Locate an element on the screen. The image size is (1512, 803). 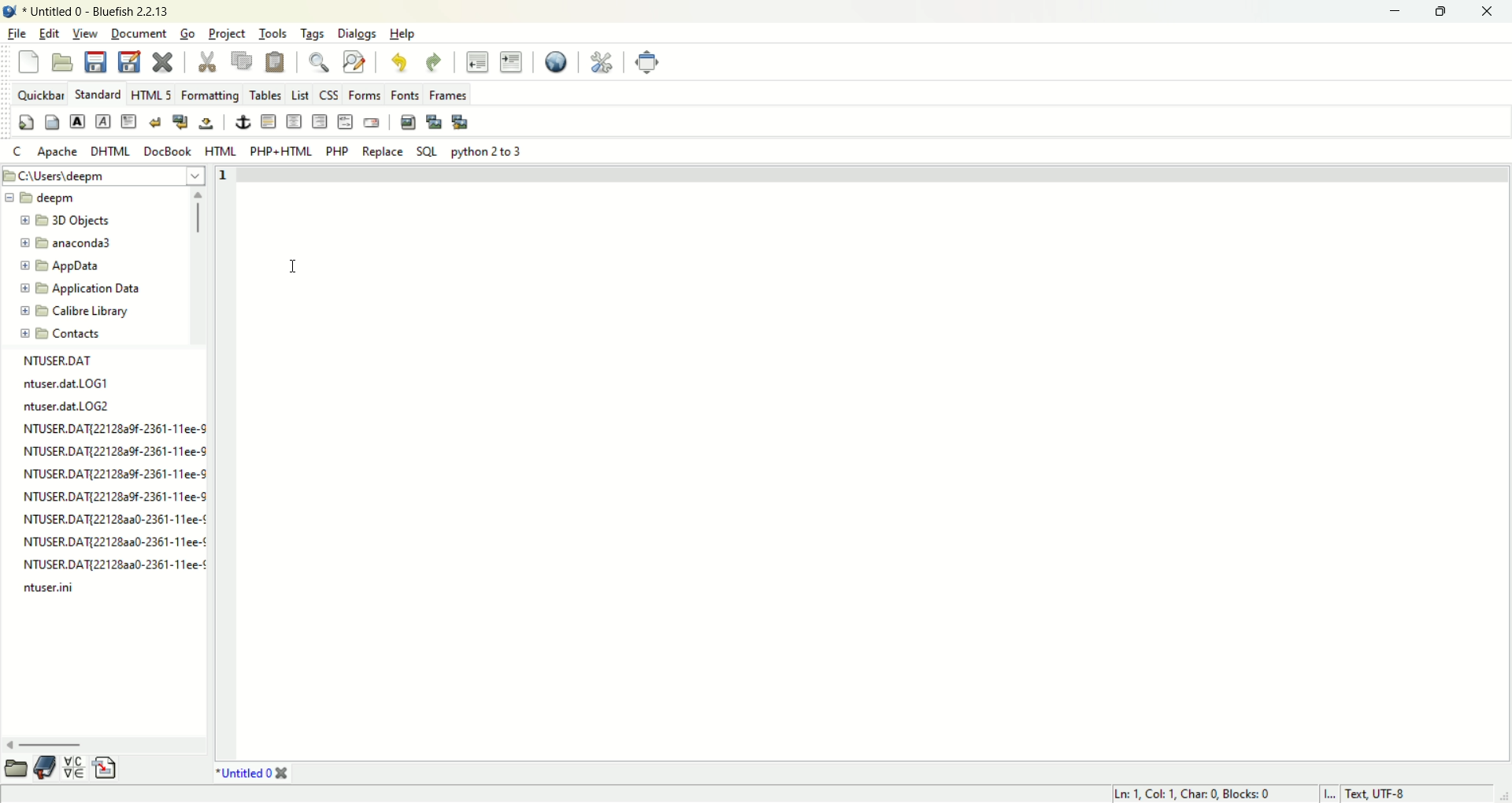
undo is located at coordinates (401, 64).